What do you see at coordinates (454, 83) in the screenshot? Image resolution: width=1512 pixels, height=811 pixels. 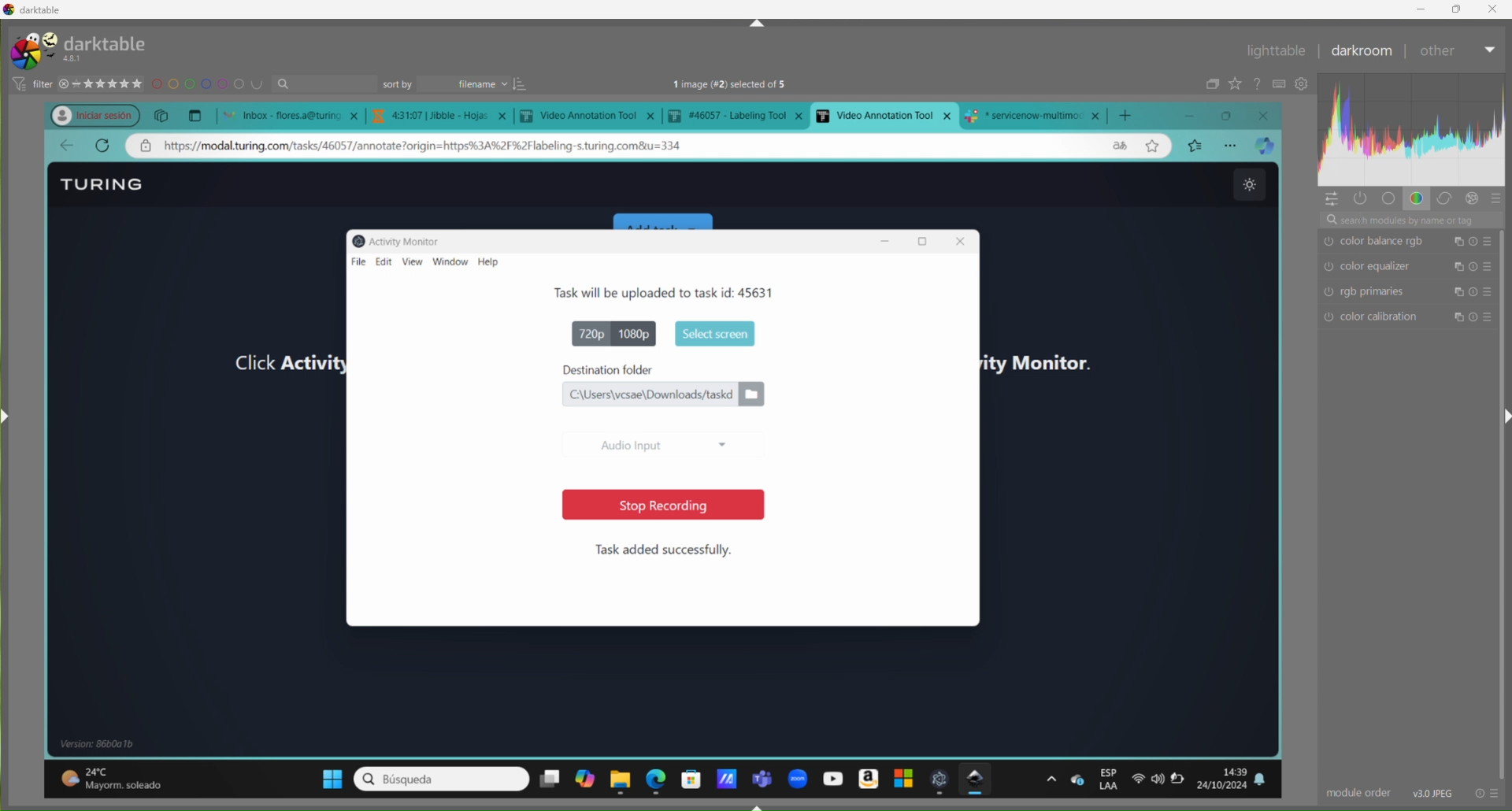 I see `sort by` at bounding box center [454, 83].